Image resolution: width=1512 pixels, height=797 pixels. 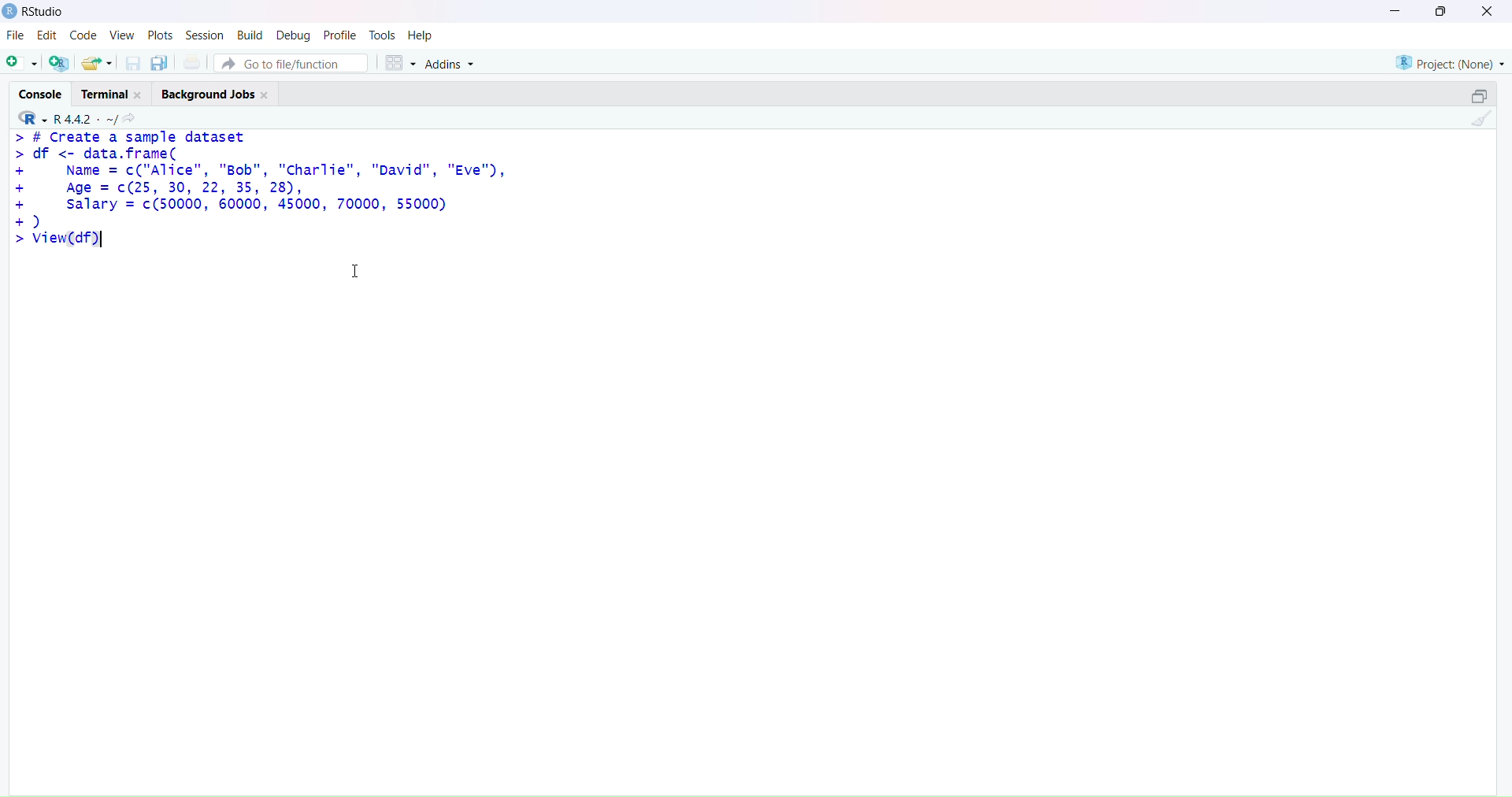 I want to click on save all open documents, so click(x=160, y=62).